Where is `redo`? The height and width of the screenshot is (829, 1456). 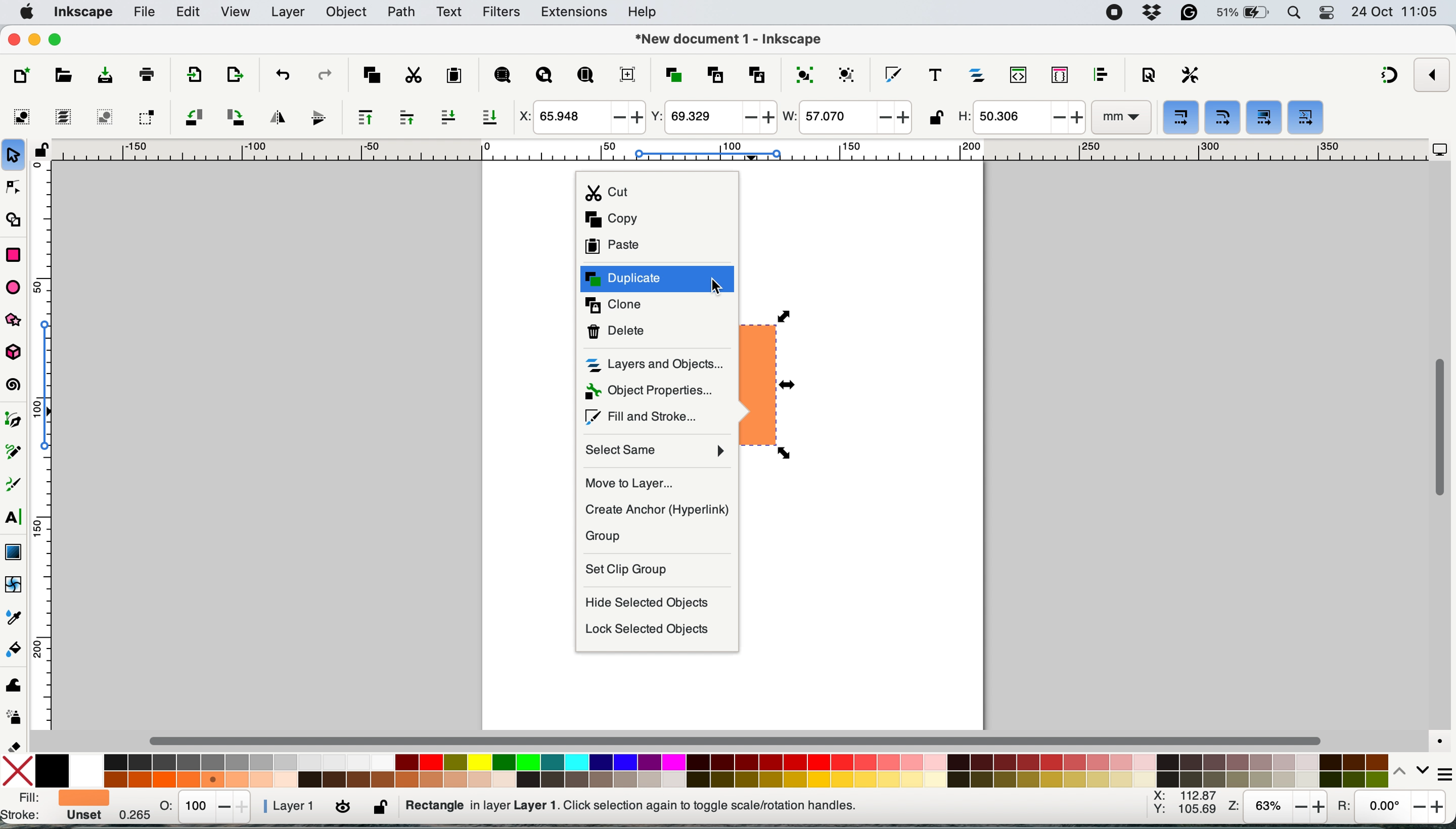
redo is located at coordinates (324, 74).